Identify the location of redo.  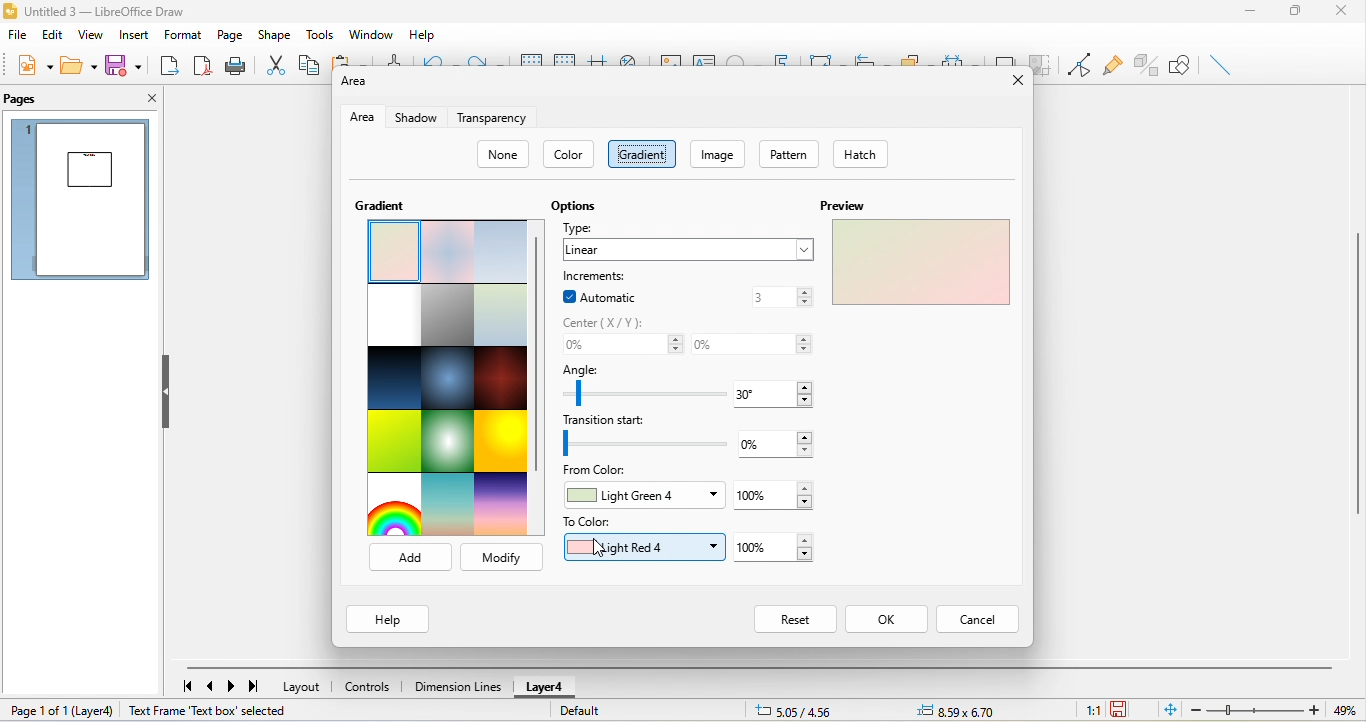
(486, 58).